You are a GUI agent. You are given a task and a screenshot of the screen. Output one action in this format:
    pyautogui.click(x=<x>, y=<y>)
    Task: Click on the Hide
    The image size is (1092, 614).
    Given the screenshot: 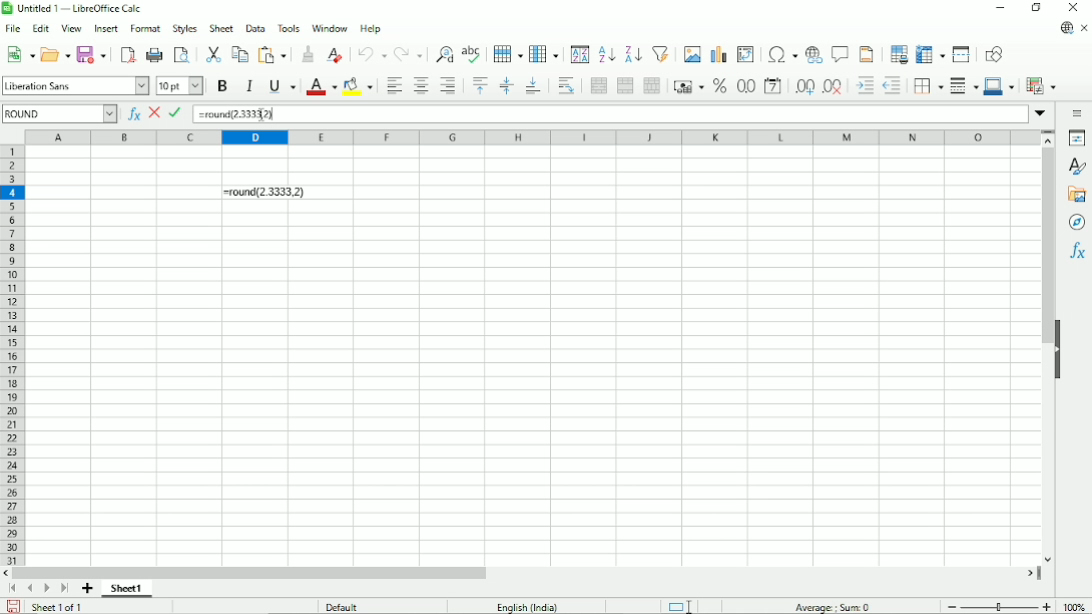 What is the action you would take?
    pyautogui.click(x=1060, y=342)
    